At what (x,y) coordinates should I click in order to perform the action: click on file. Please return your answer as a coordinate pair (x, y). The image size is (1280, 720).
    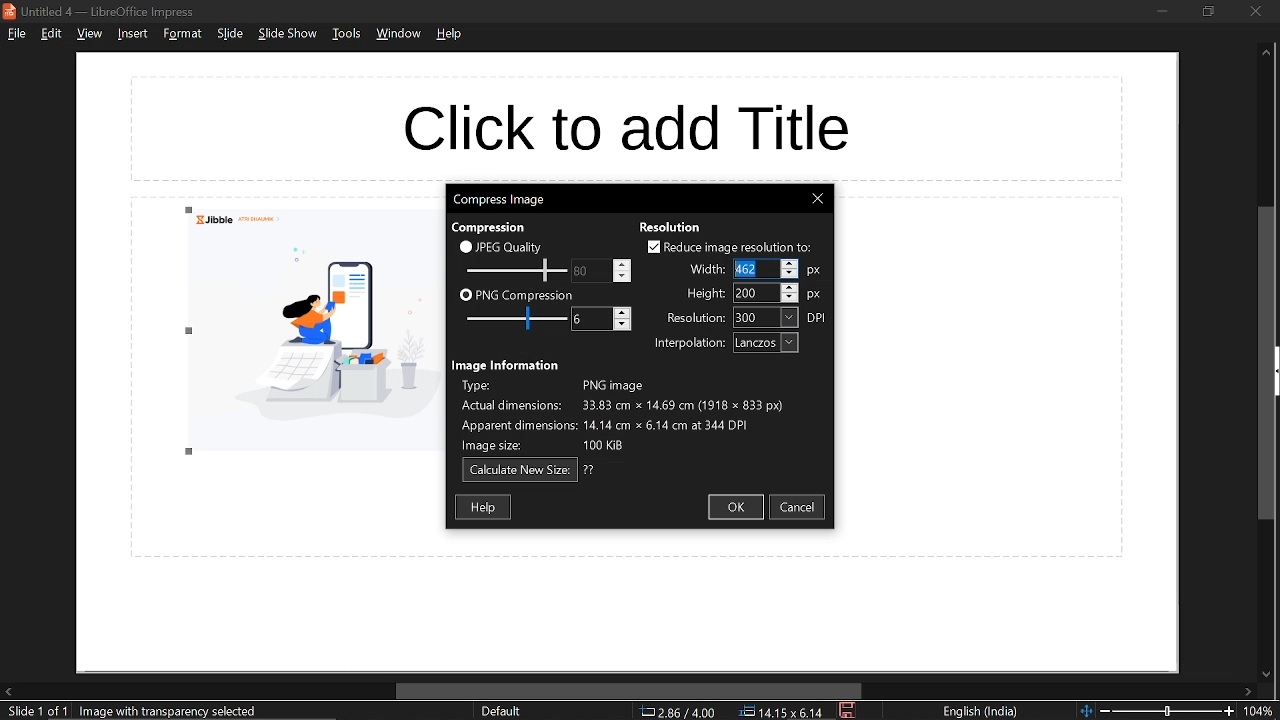
    Looking at the image, I should click on (16, 33).